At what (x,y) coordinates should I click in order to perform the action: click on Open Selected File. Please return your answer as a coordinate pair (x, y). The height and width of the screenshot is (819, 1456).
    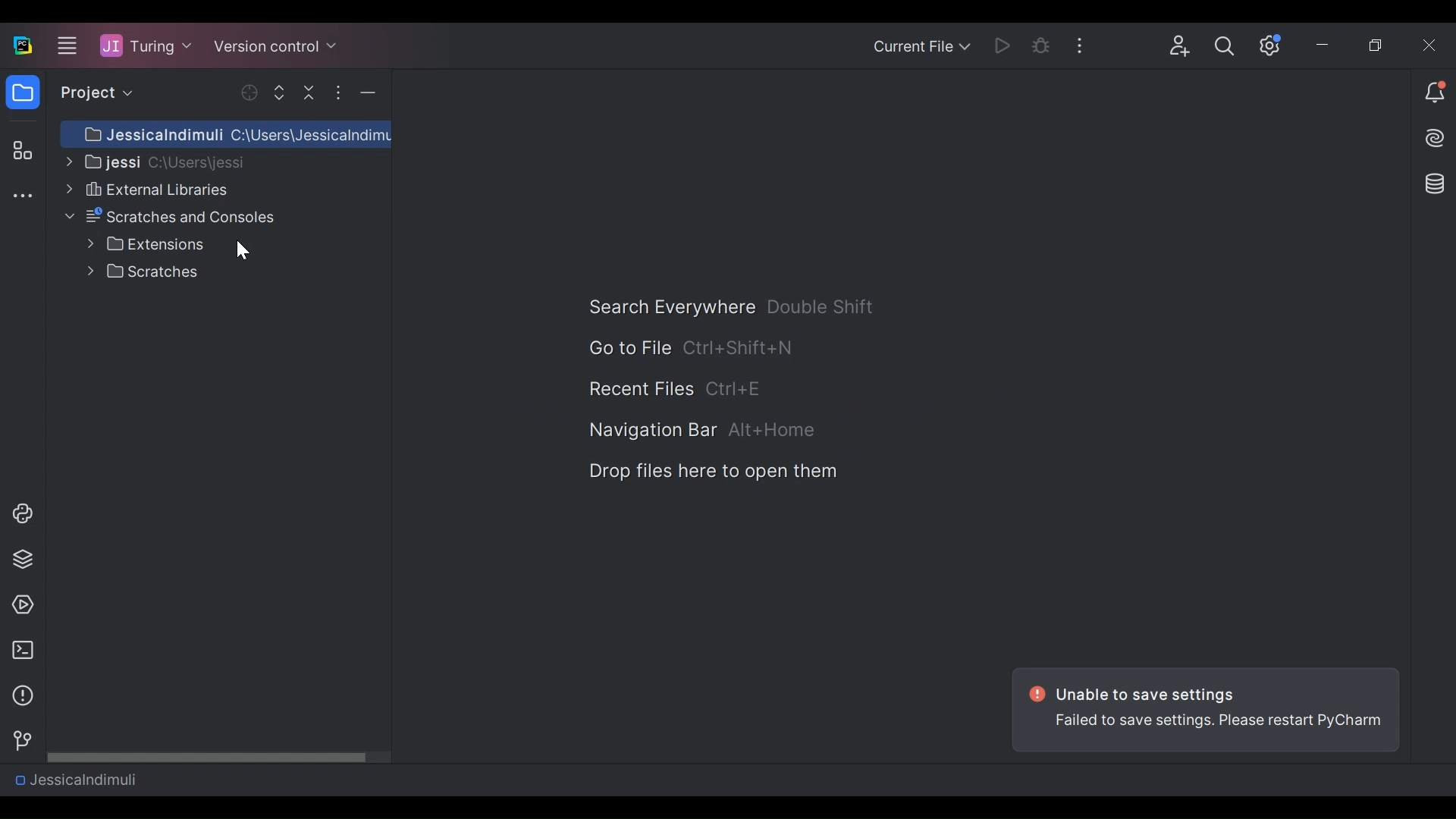
    Looking at the image, I should click on (251, 93).